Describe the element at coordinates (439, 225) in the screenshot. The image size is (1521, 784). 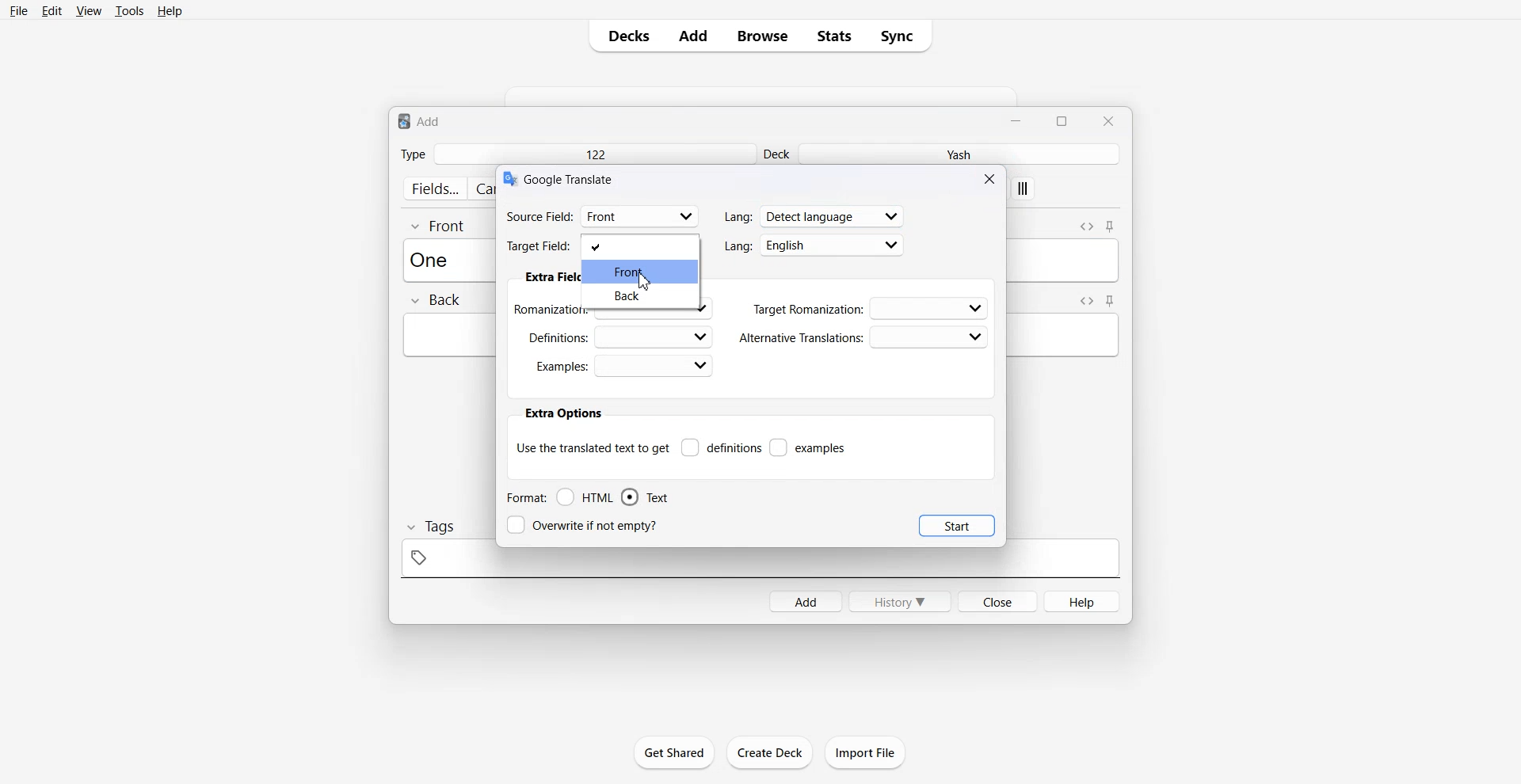
I see `Front` at that location.